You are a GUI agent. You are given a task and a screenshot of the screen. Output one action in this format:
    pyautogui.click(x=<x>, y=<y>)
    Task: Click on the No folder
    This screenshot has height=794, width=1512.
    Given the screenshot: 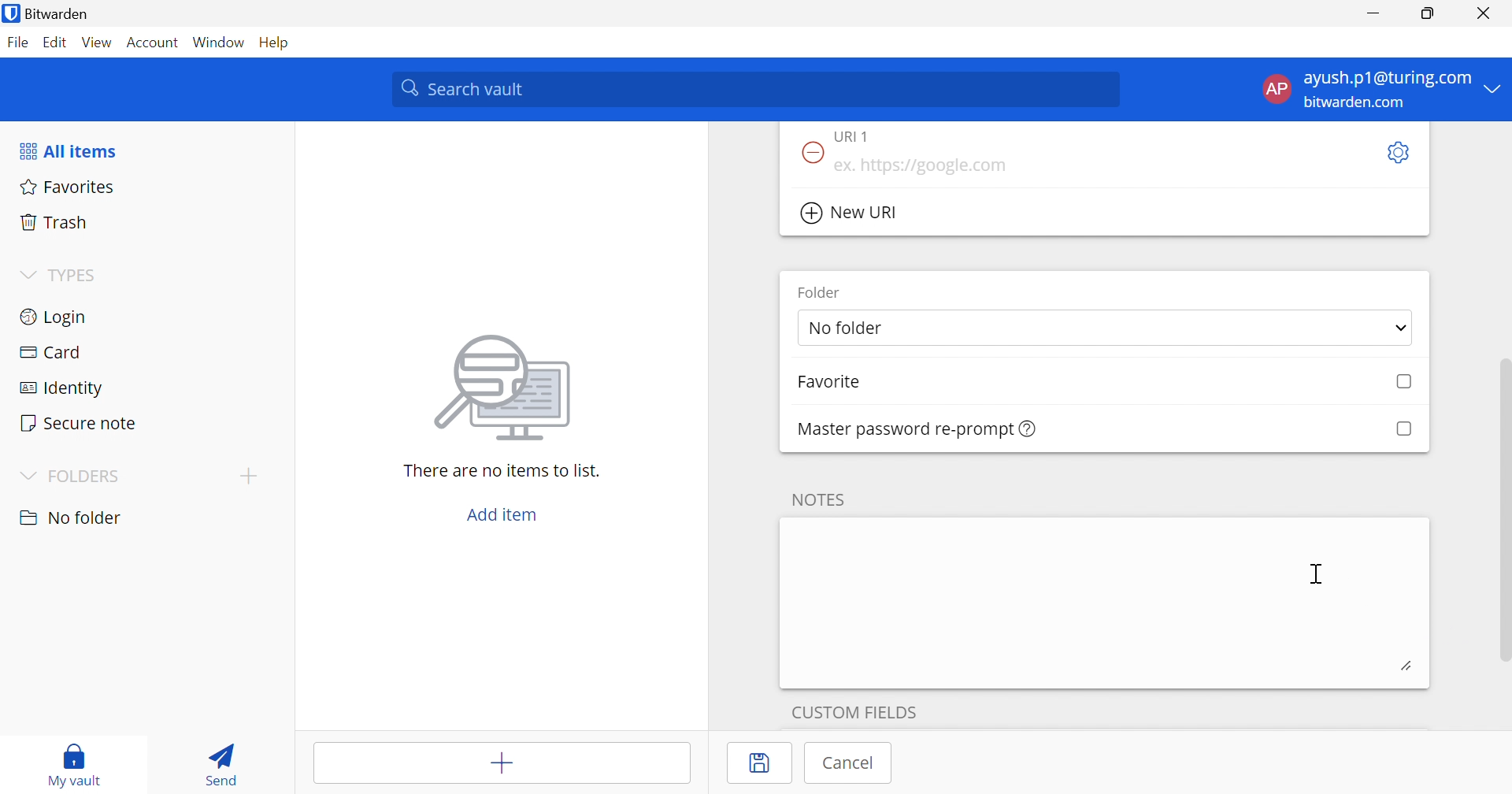 What is the action you would take?
    pyautogui.click(x=848, y=329)
    